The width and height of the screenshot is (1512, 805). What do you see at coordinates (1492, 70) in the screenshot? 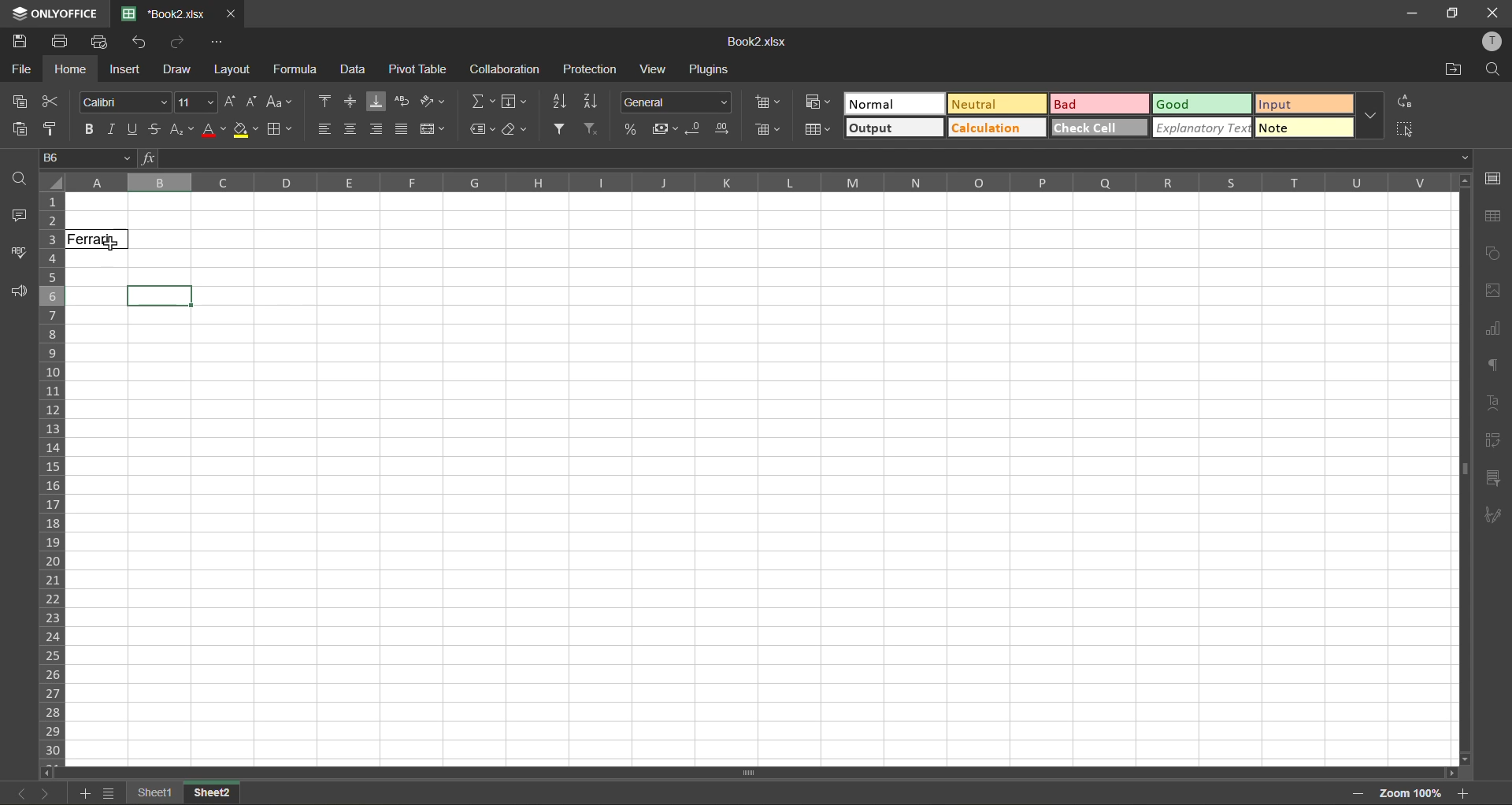
I see `find` at bounding box center [1492, 70].